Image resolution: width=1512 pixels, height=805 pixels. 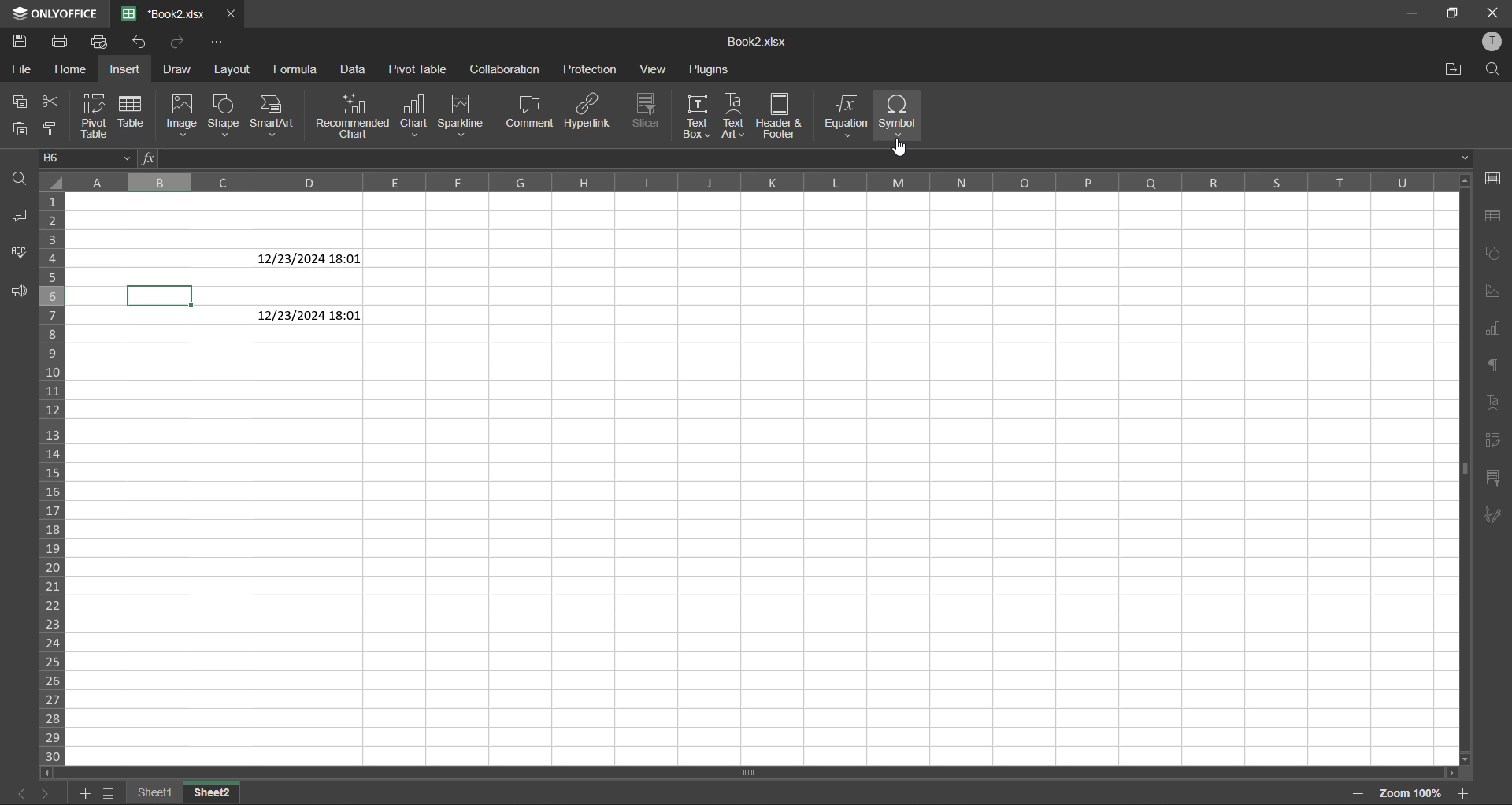 What do you see at coordinates (1451, 71) in the screenshot?
I see `open location` at bounding box center [1451, 71].